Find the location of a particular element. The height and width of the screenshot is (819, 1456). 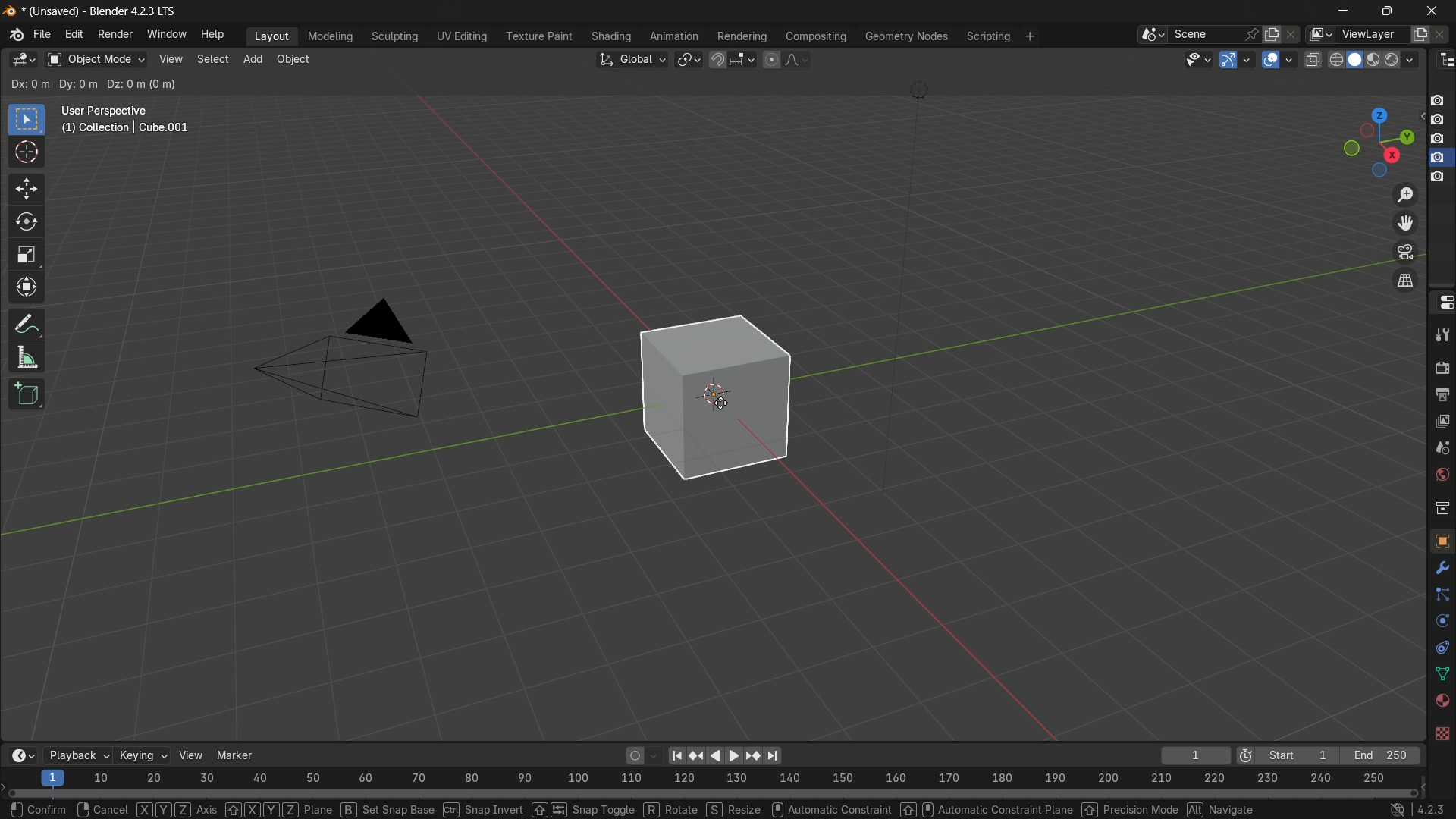

Icon4 is located at coordinates (1439, 171).